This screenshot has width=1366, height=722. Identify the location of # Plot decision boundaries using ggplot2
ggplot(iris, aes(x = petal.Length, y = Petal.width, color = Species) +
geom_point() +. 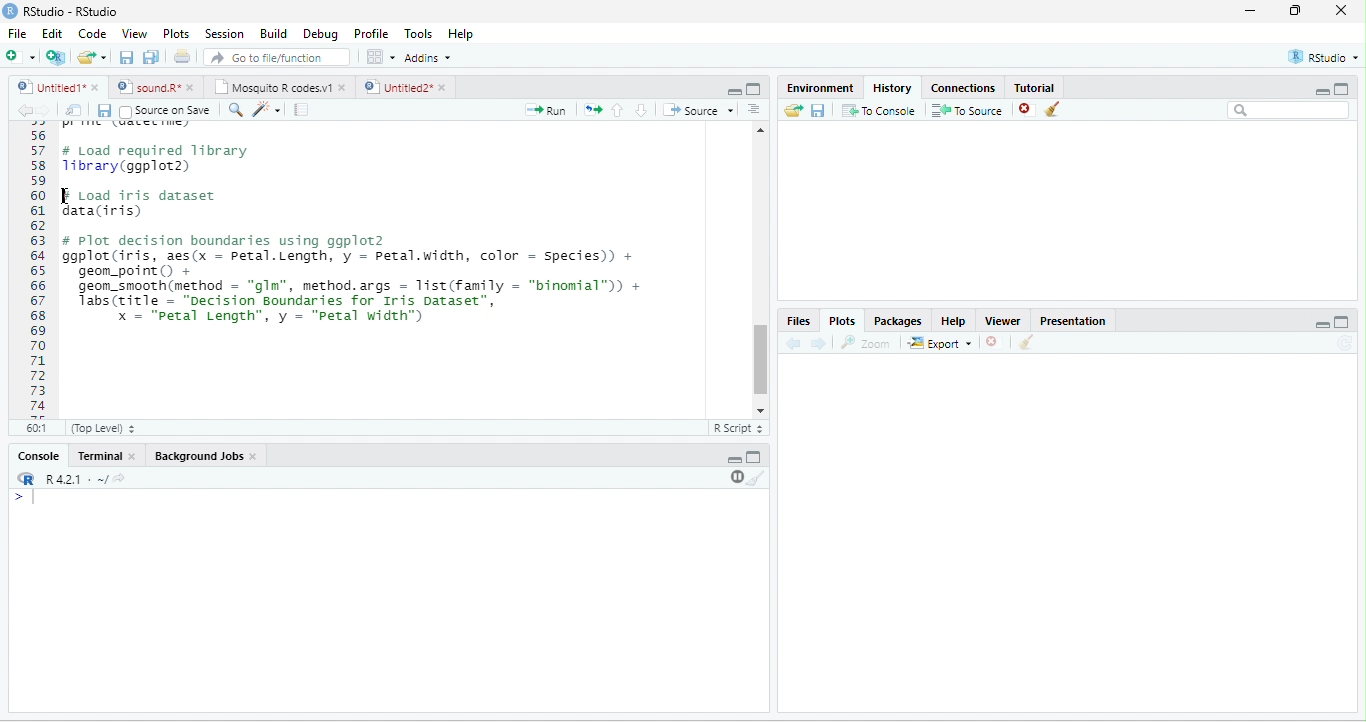
(349, 255).